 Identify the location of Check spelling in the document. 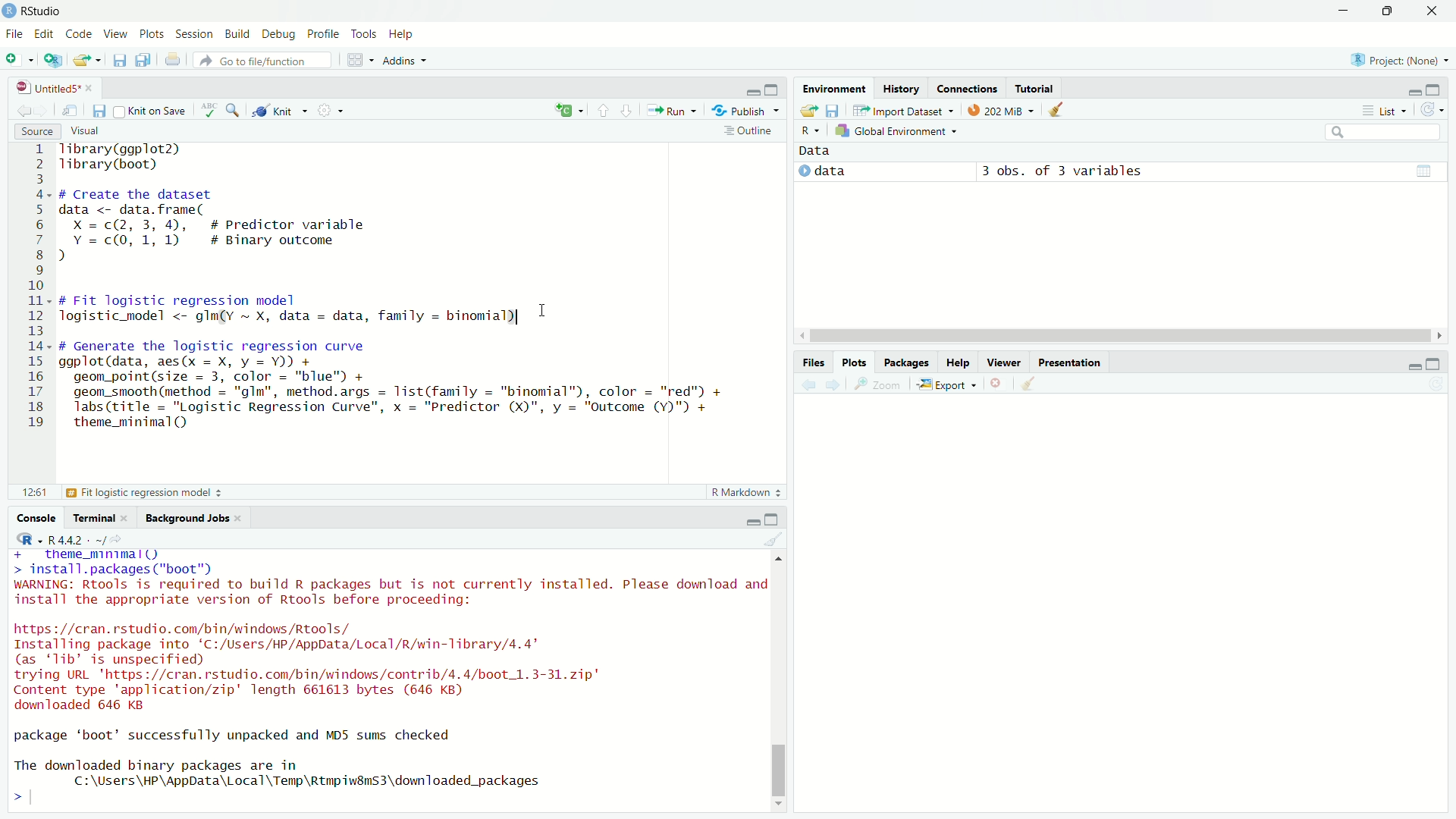
(209, 110).